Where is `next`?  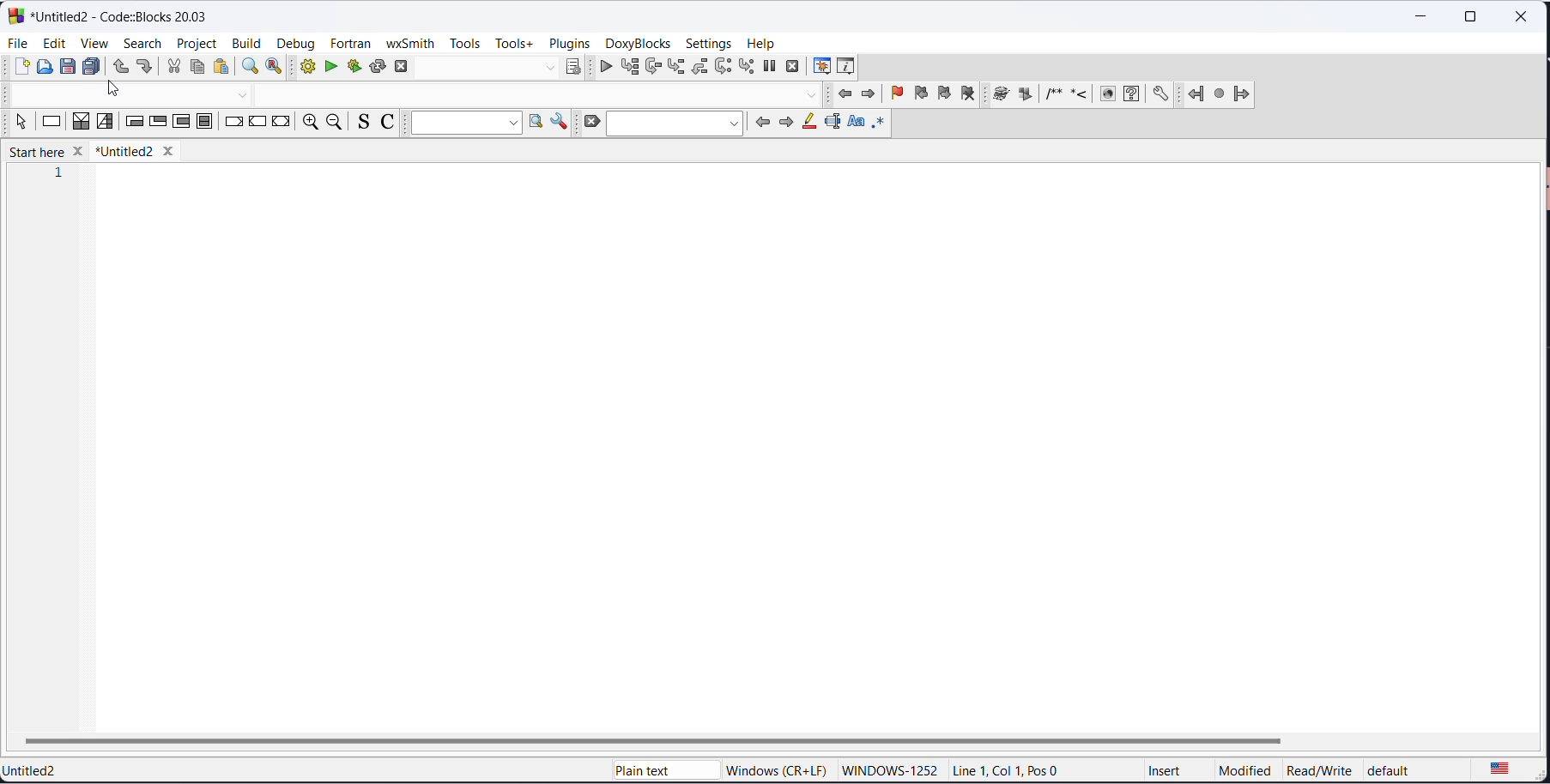
next is located at coordinates (787, 123).